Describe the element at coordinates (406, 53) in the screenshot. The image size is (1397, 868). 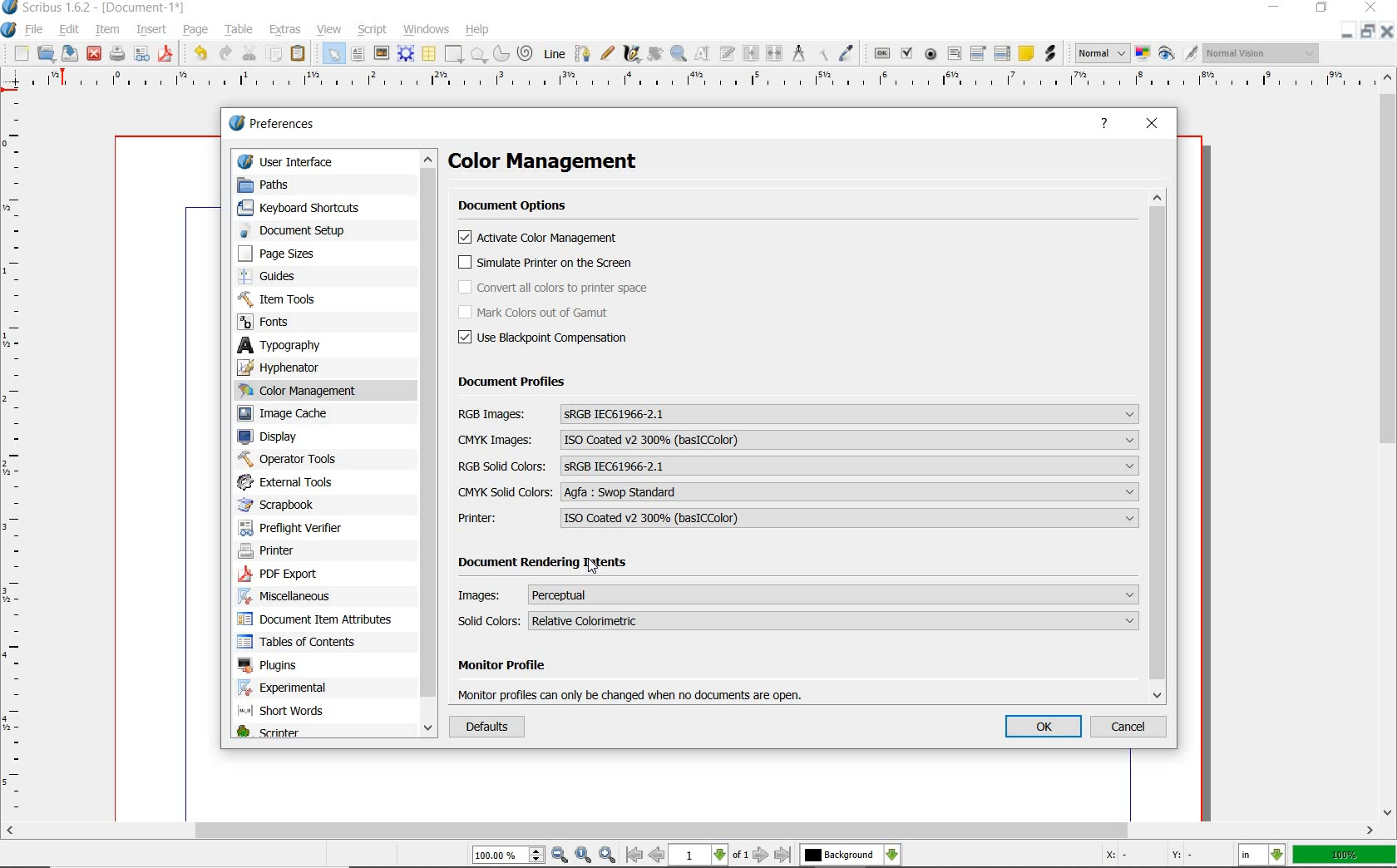
I see `render frame` at that location.